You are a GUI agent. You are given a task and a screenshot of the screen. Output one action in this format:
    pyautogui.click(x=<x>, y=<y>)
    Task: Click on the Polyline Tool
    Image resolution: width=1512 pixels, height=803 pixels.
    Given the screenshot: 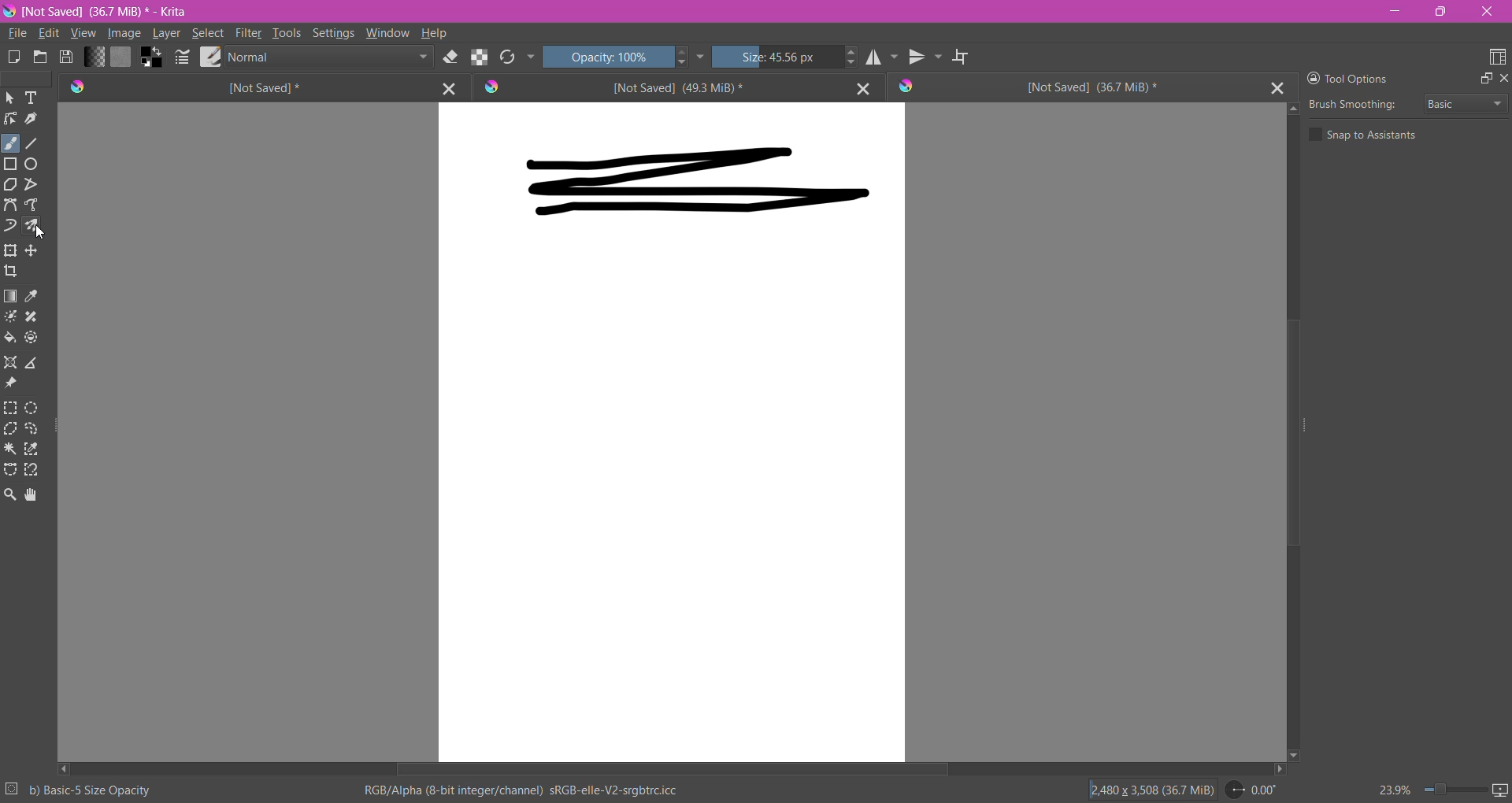 What is the action you would take?
    pyautogui.click(x=31, y=184)
    